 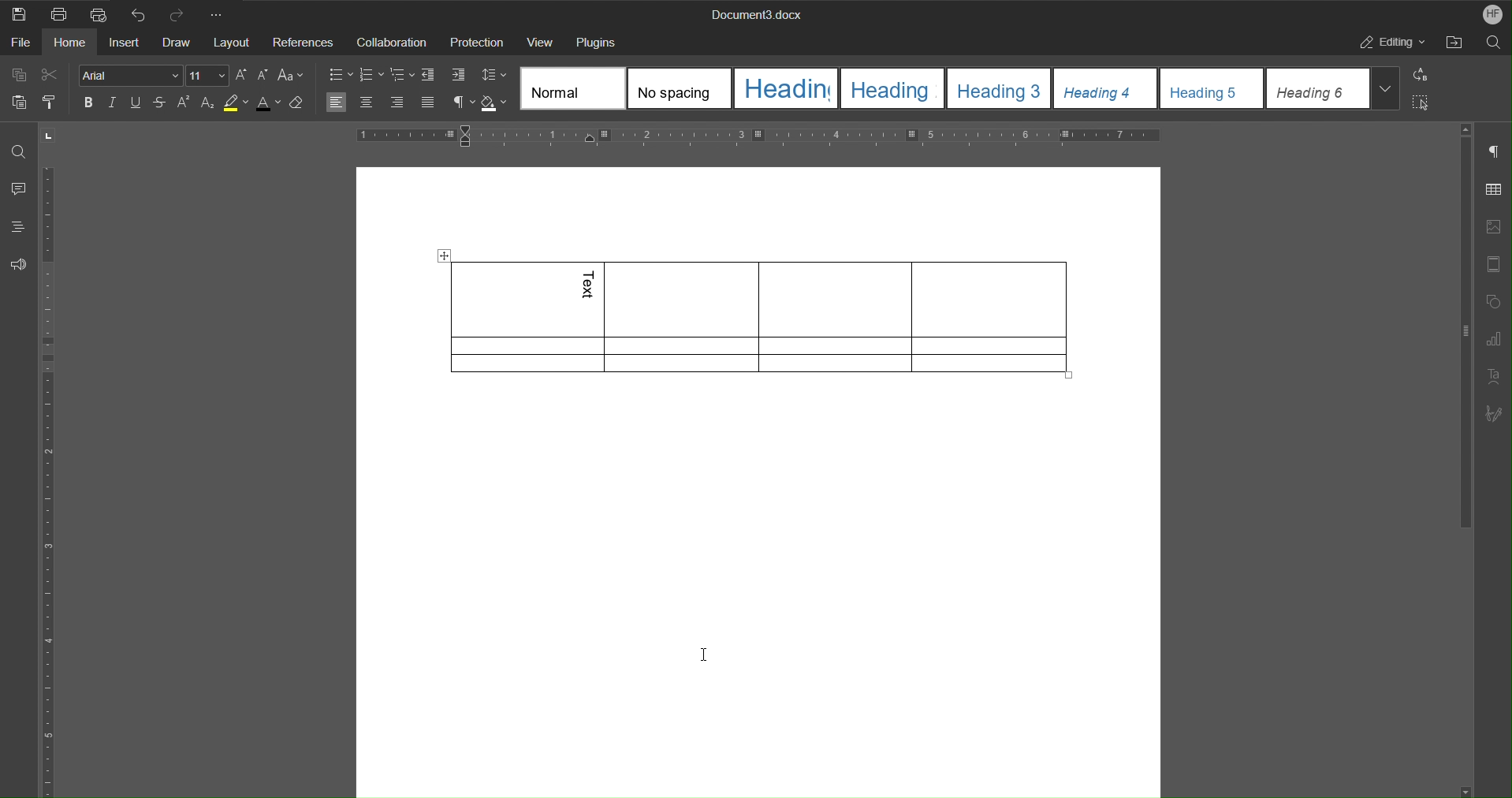 I want to click on Highlight, so click(x=236, y=102).